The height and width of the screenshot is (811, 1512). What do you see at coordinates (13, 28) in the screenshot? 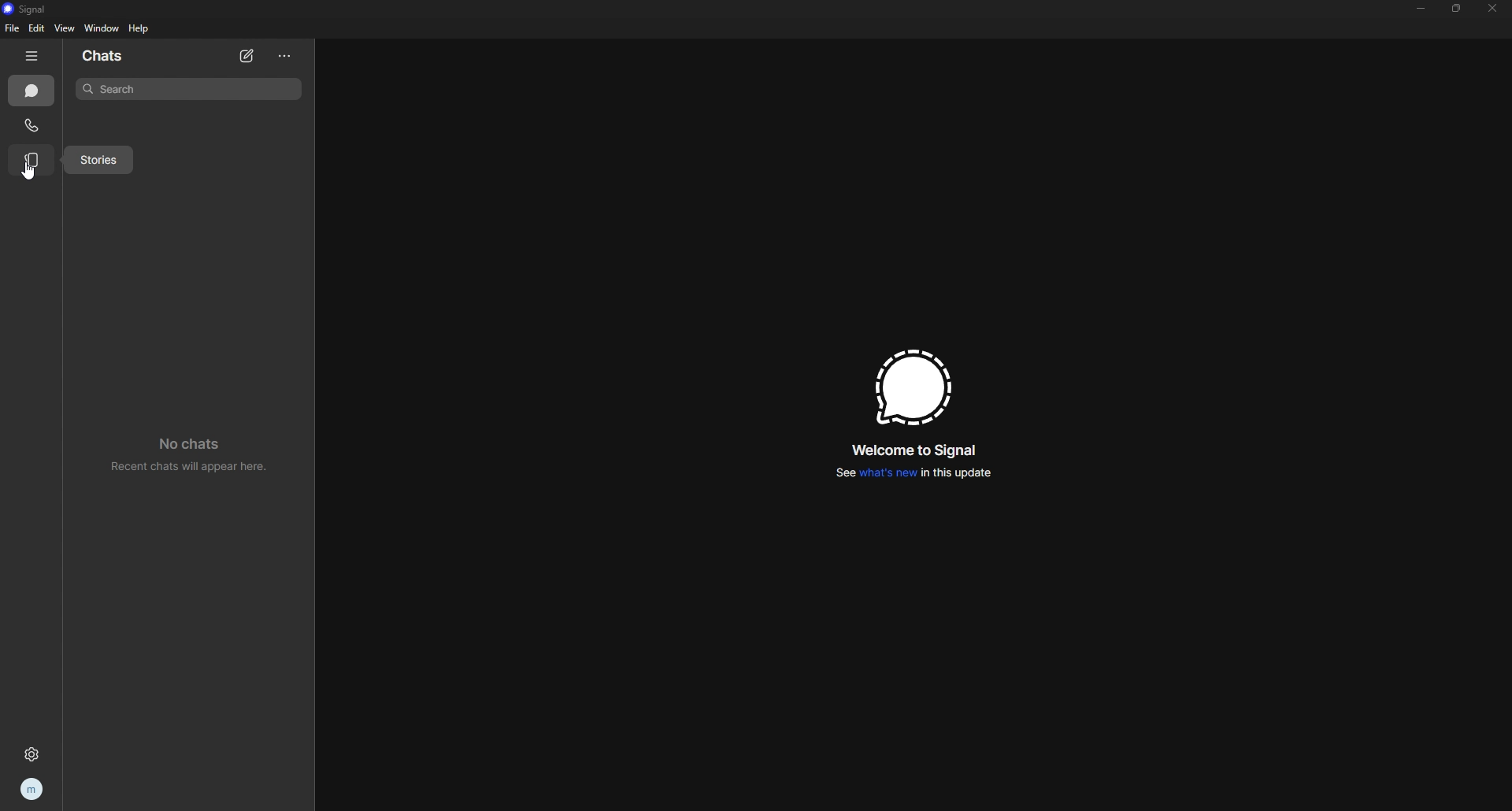
I see `file` at bounding box center [13, 28].